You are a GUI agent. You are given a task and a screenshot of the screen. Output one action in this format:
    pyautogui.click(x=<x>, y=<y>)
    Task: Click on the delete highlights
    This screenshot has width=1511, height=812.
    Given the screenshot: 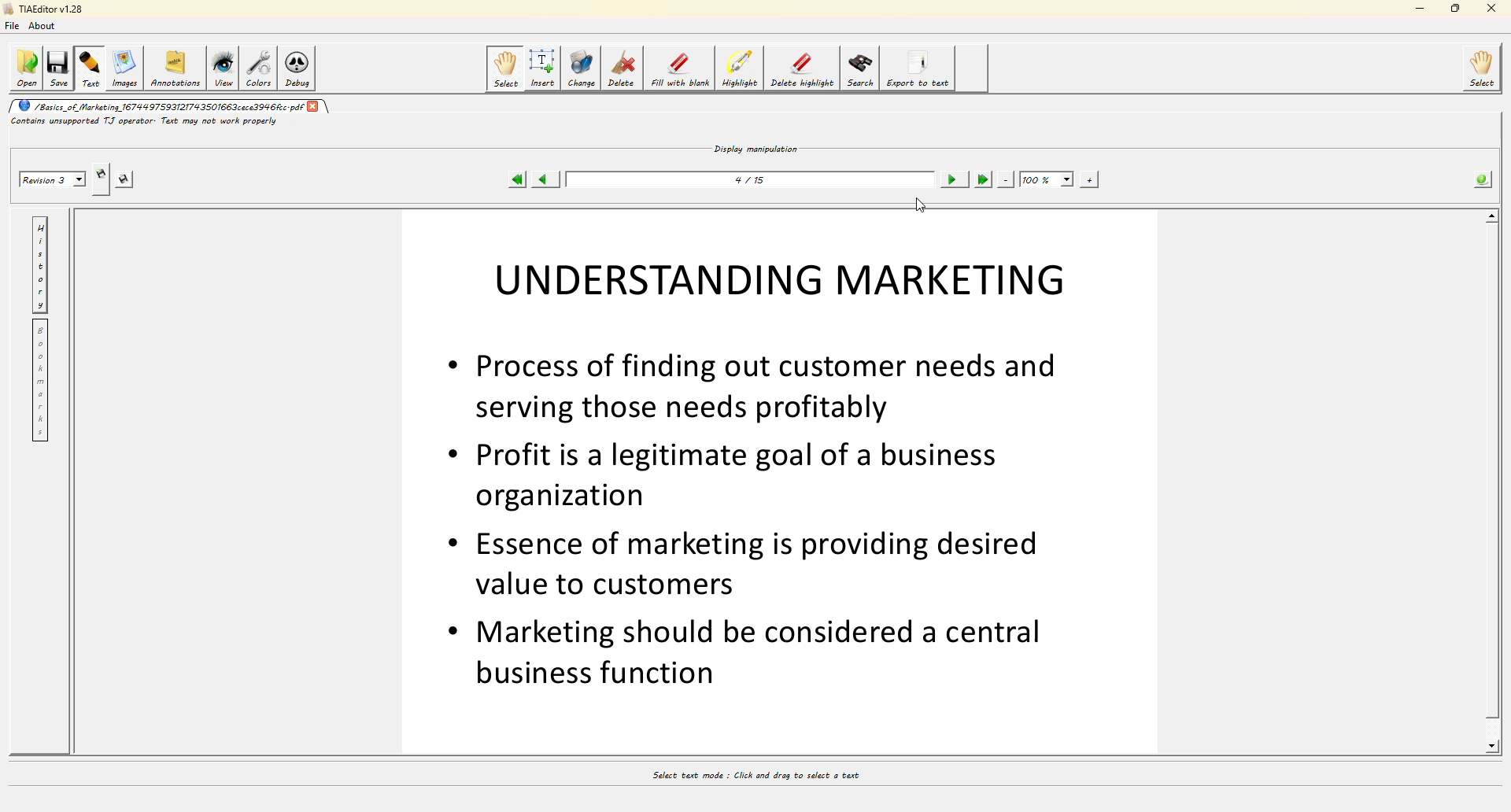 What is the action you would take?
    pyautogui.click(x=801, y=71)
    